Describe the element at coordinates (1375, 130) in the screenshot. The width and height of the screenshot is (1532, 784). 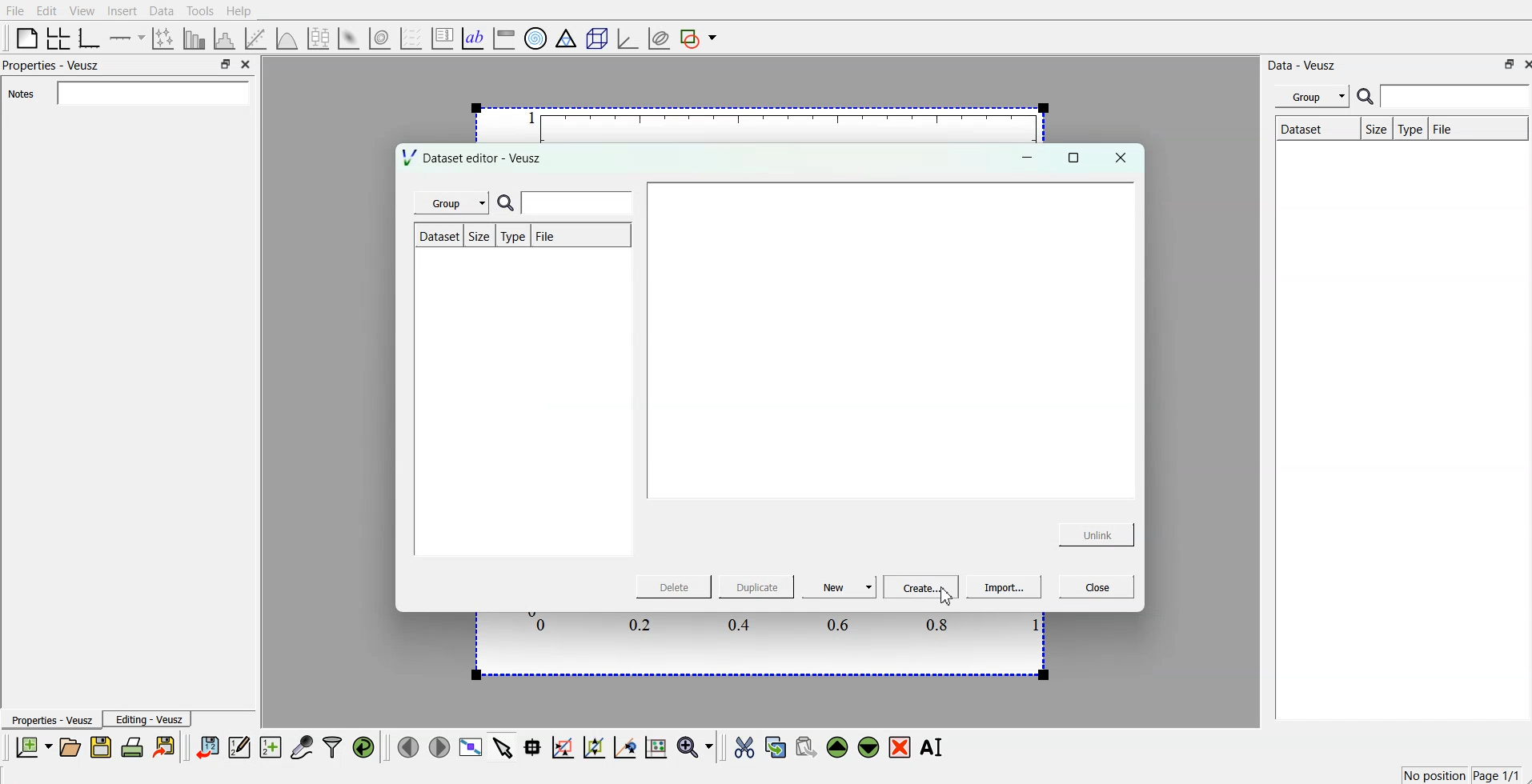
I see `Size` at that location.